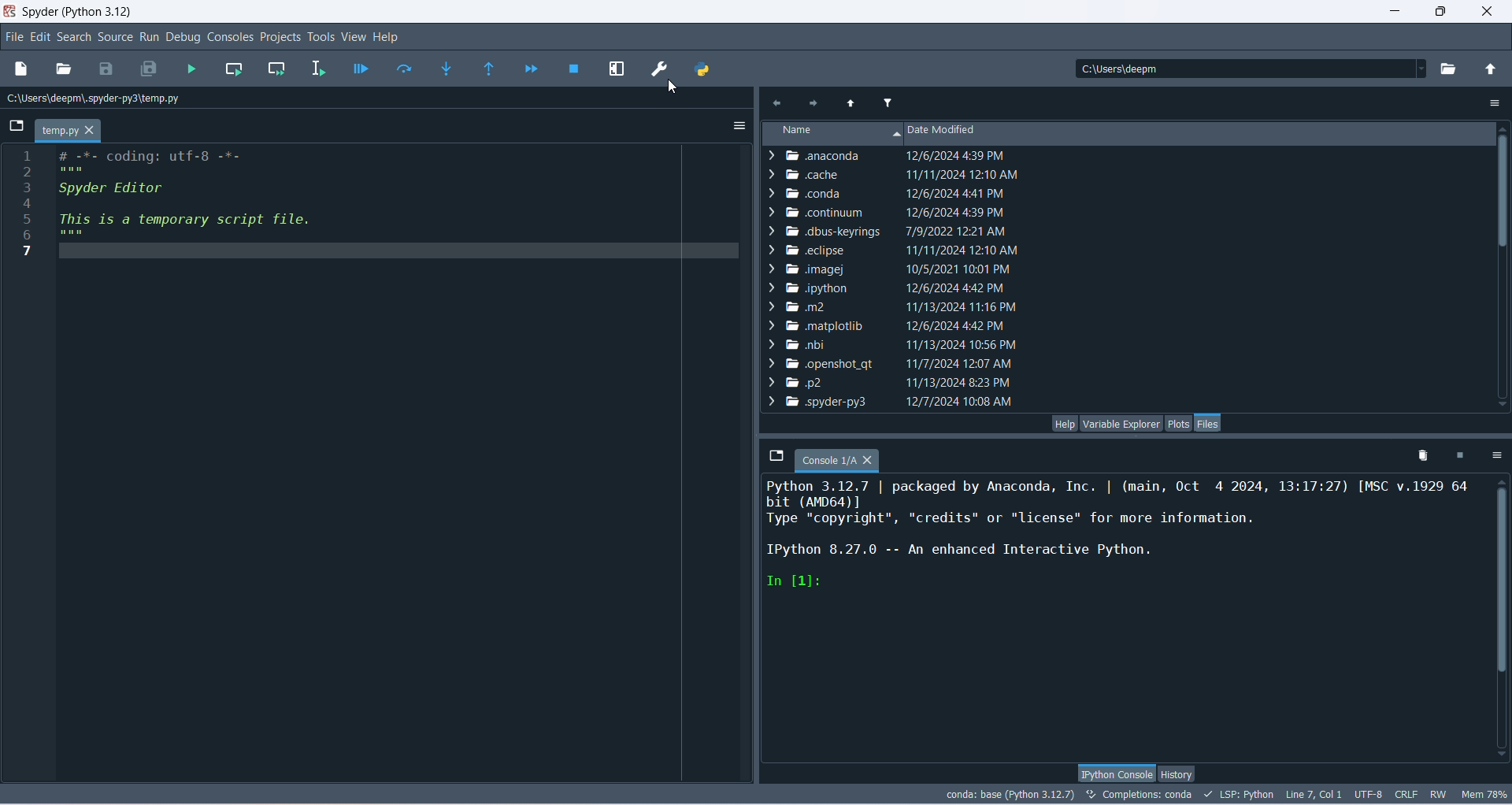  Describe the element at coordinates (1440, 12) in the screenshot. I see `maximize` at that location.